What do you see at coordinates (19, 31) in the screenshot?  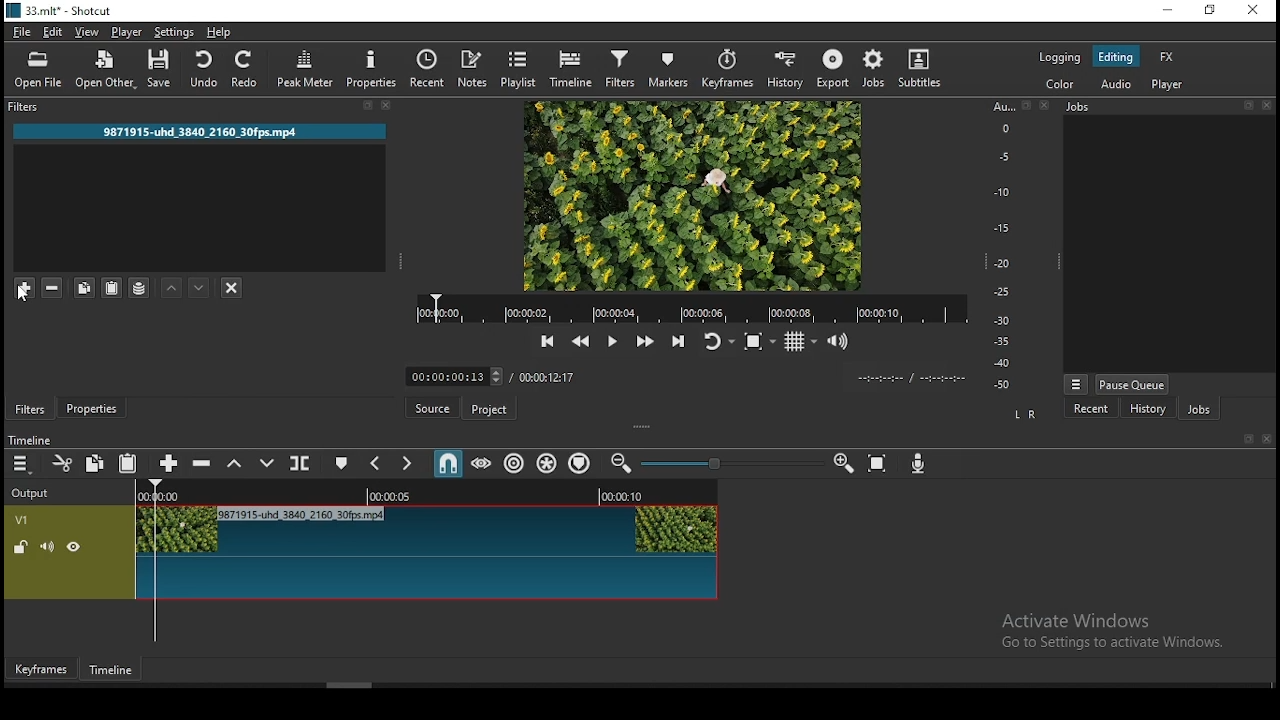 I see `file` at bounding box center [19, 31].